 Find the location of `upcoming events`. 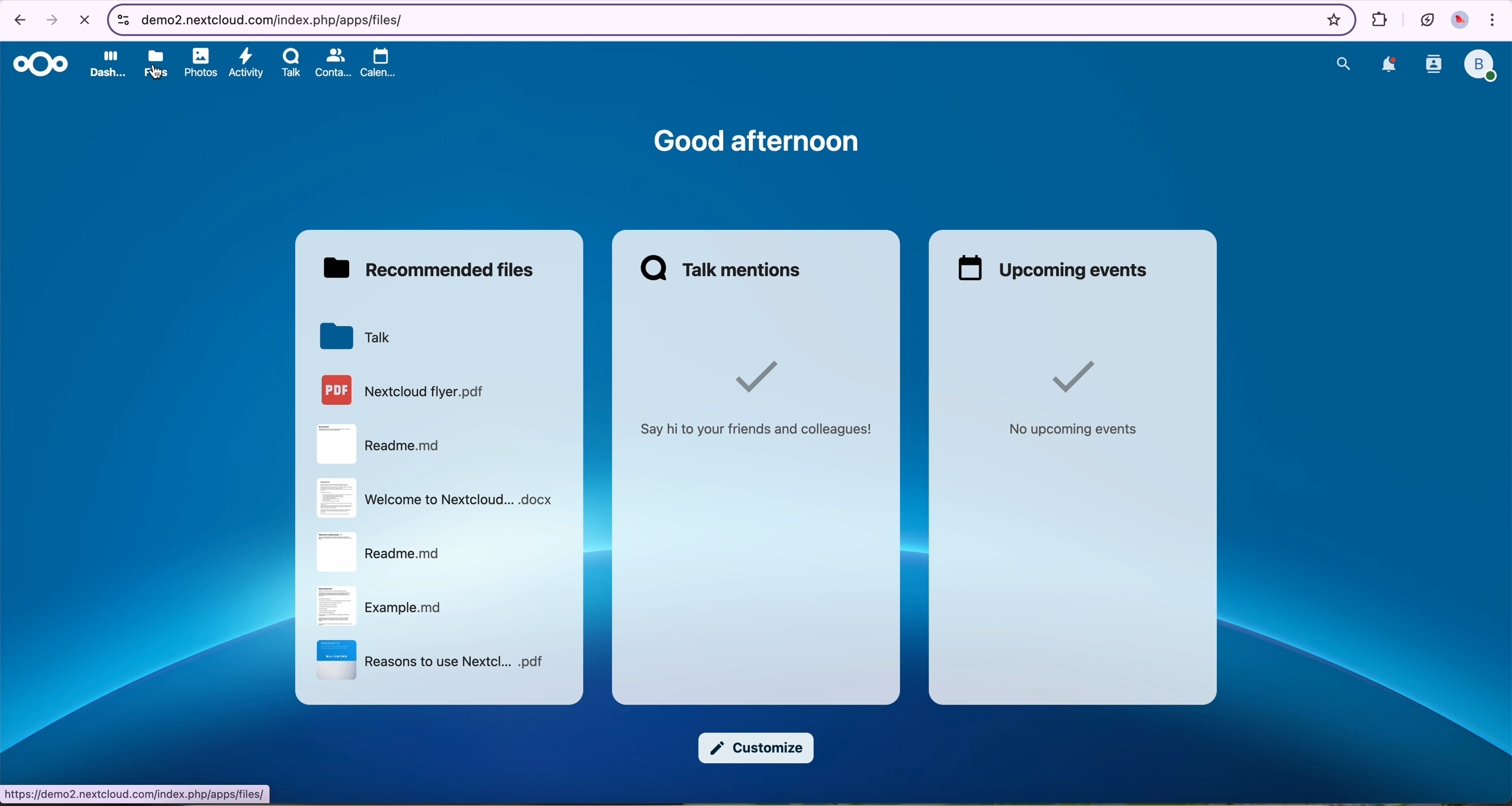

upcoming events is located at coordinates (1049, 269).